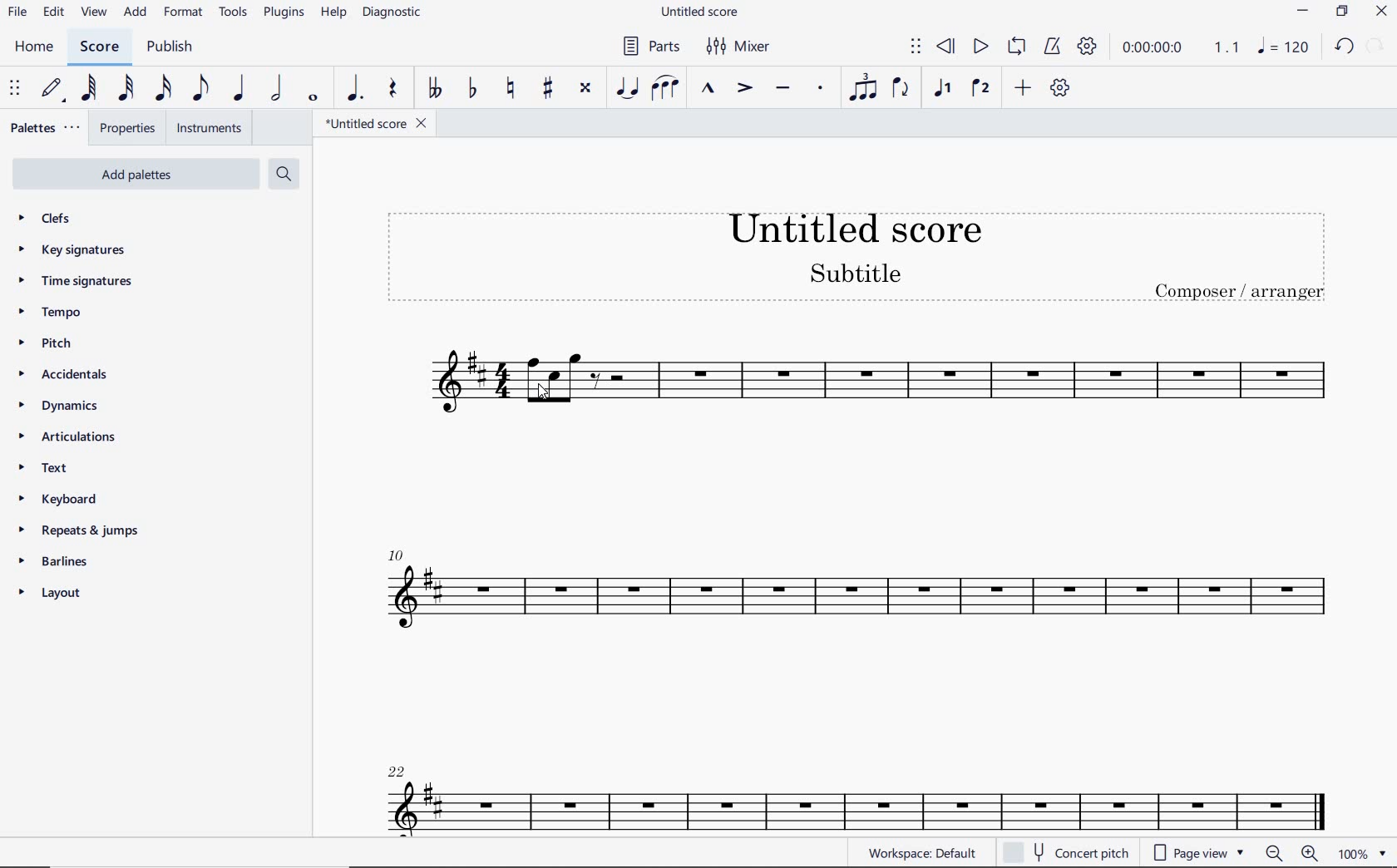 The image size is (1397, 868). I want to click on PITCH, so click(66, 343).